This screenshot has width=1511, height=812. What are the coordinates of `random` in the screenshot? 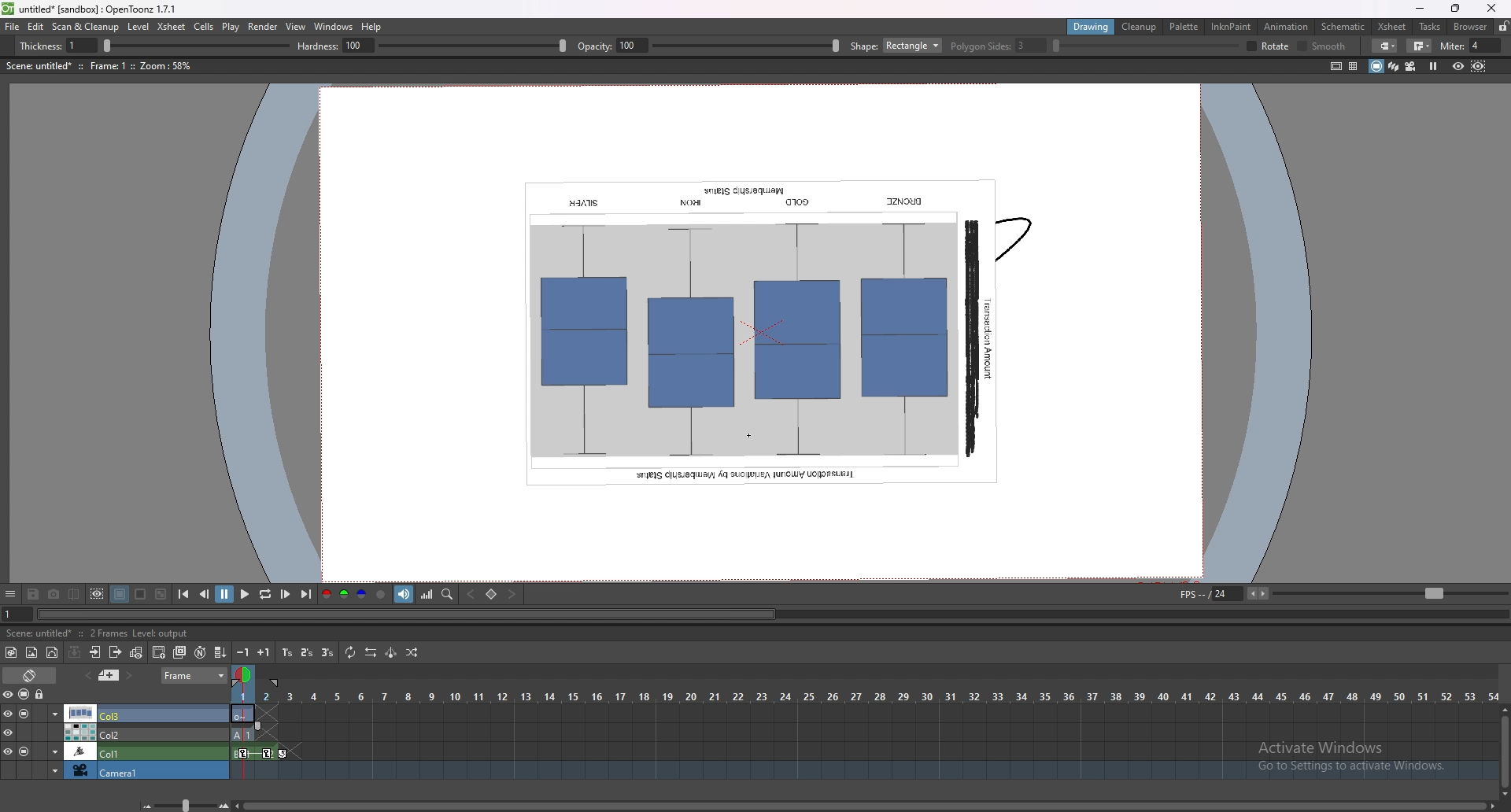 It's located at (412, 652).